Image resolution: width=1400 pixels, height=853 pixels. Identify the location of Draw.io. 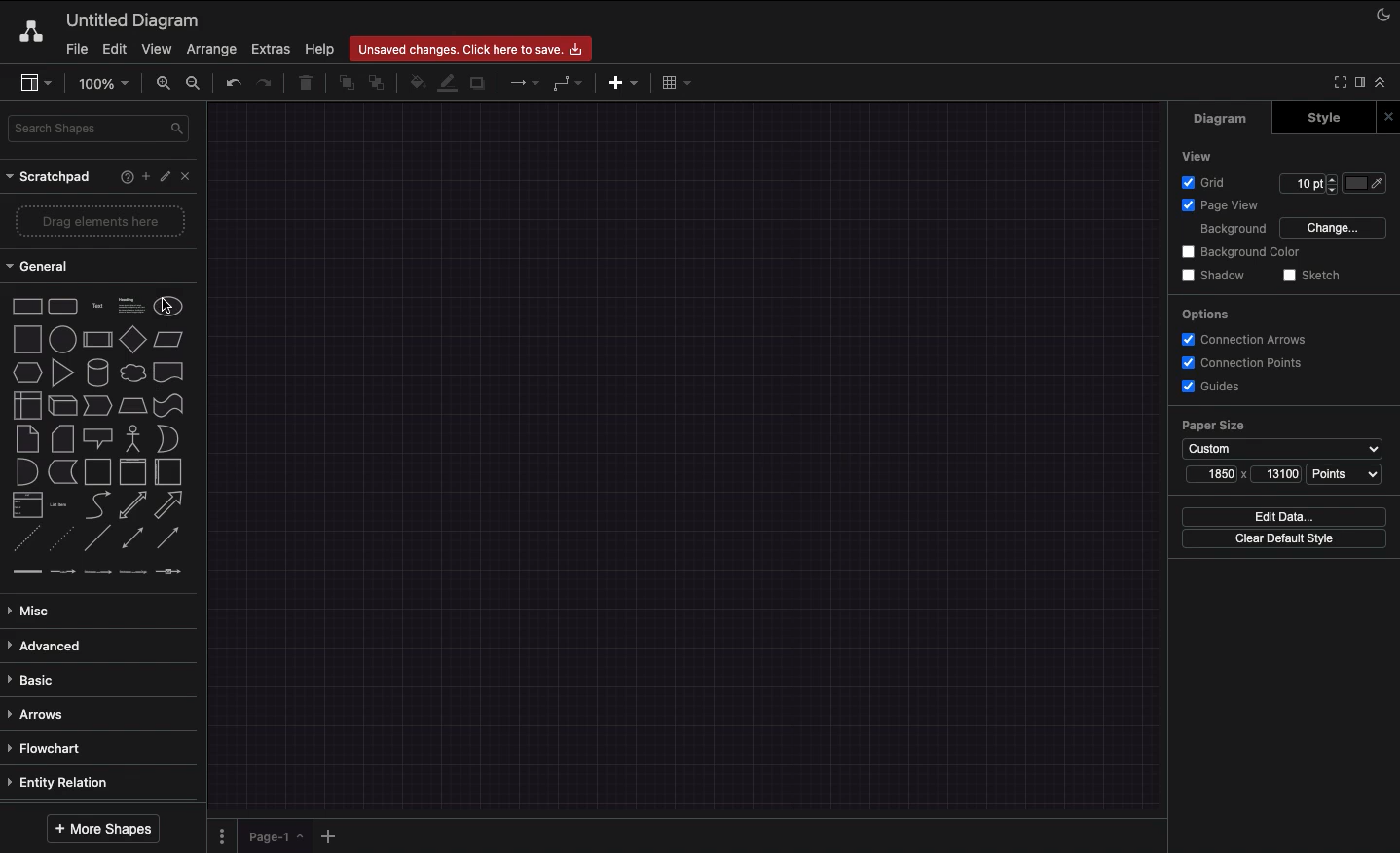
(27, 31).